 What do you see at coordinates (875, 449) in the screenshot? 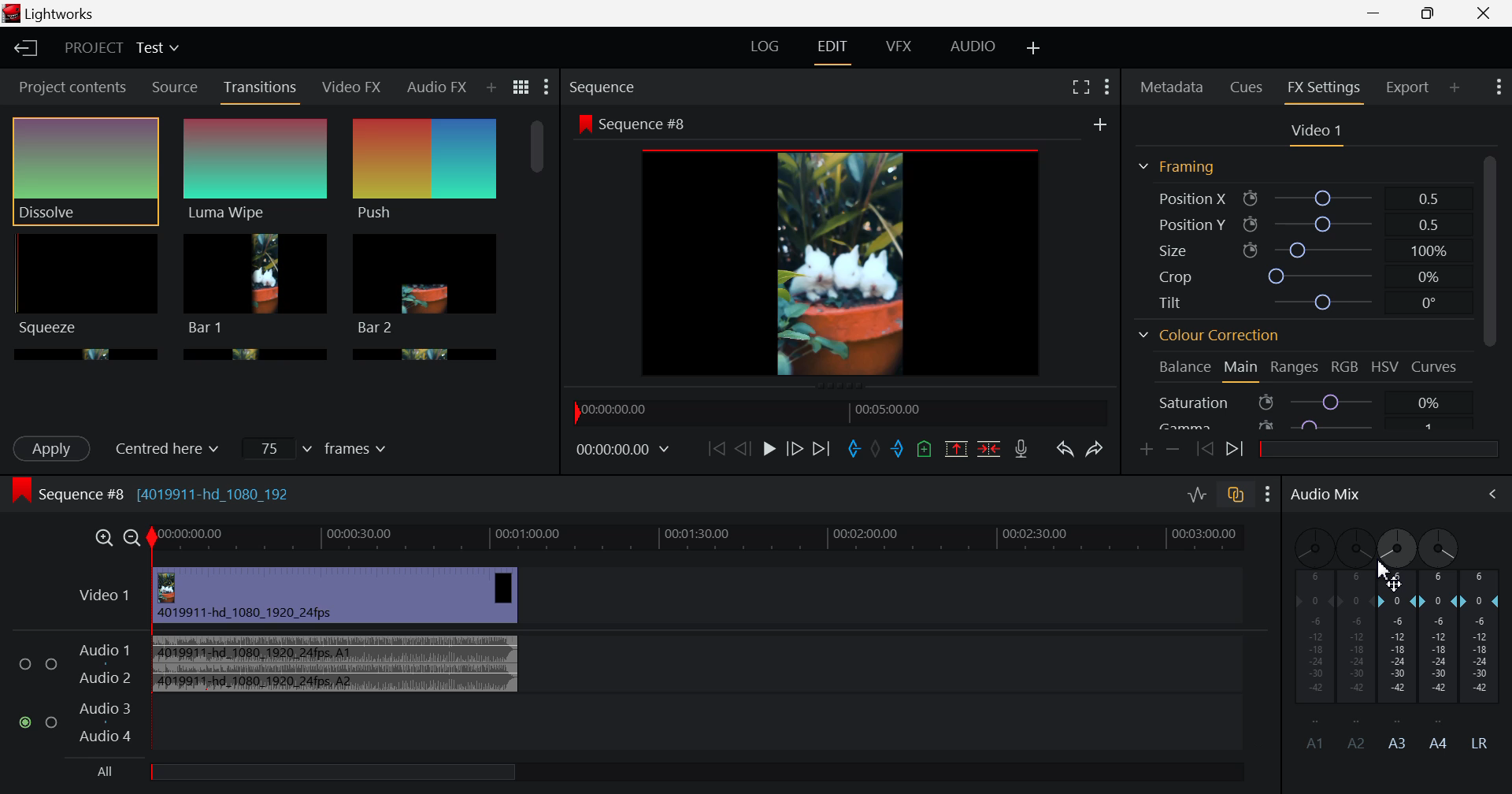
I see `Remove all marks` at bounding box center [875, 449].